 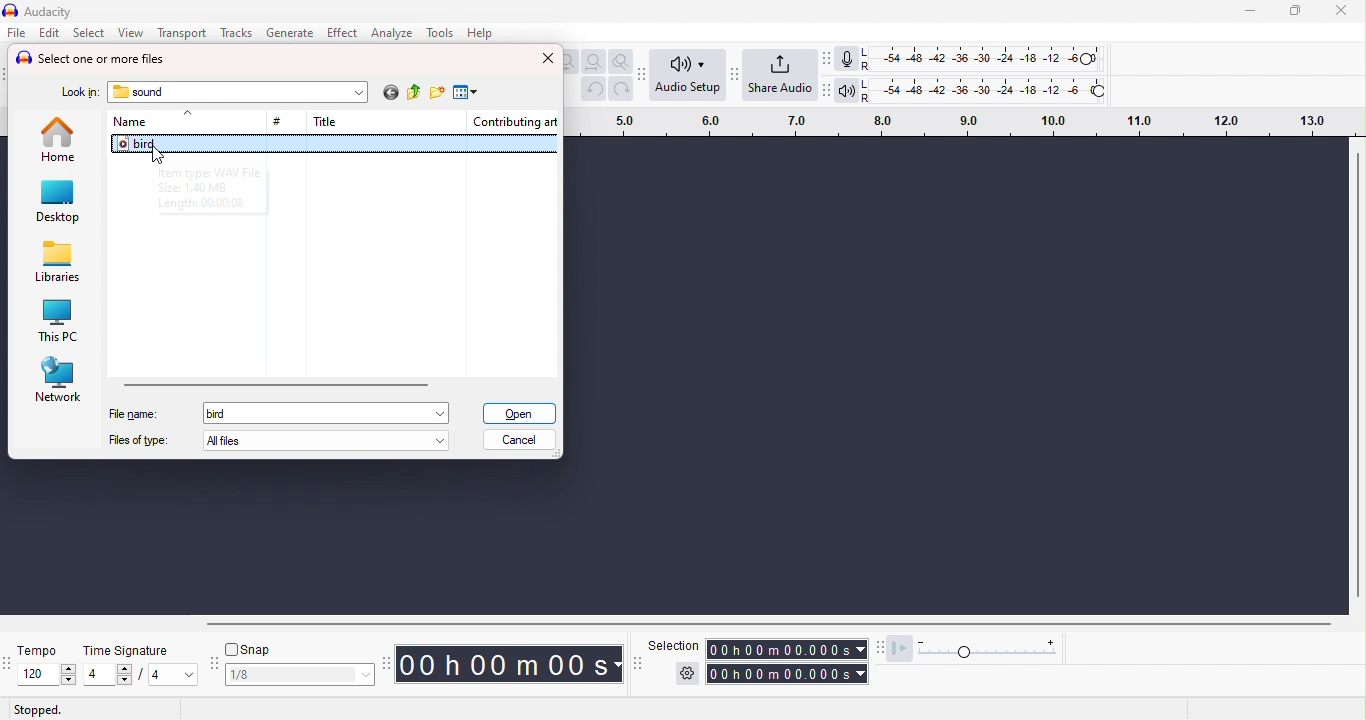 I want to click on time tool bar, so click(x=388, y=662).